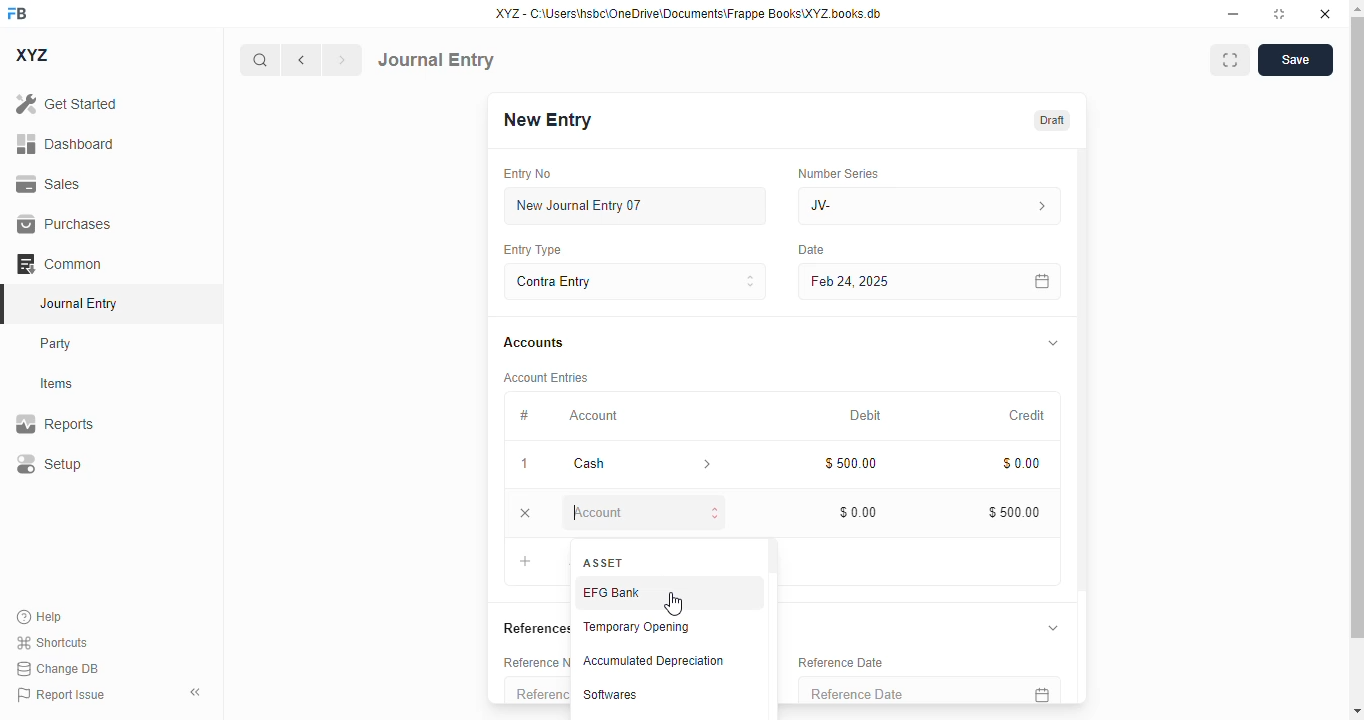 The image size is (1364, 720). Describe the element at coordinates (885, 281) in the screenshot. I see `feb 24, 2025` at that location.